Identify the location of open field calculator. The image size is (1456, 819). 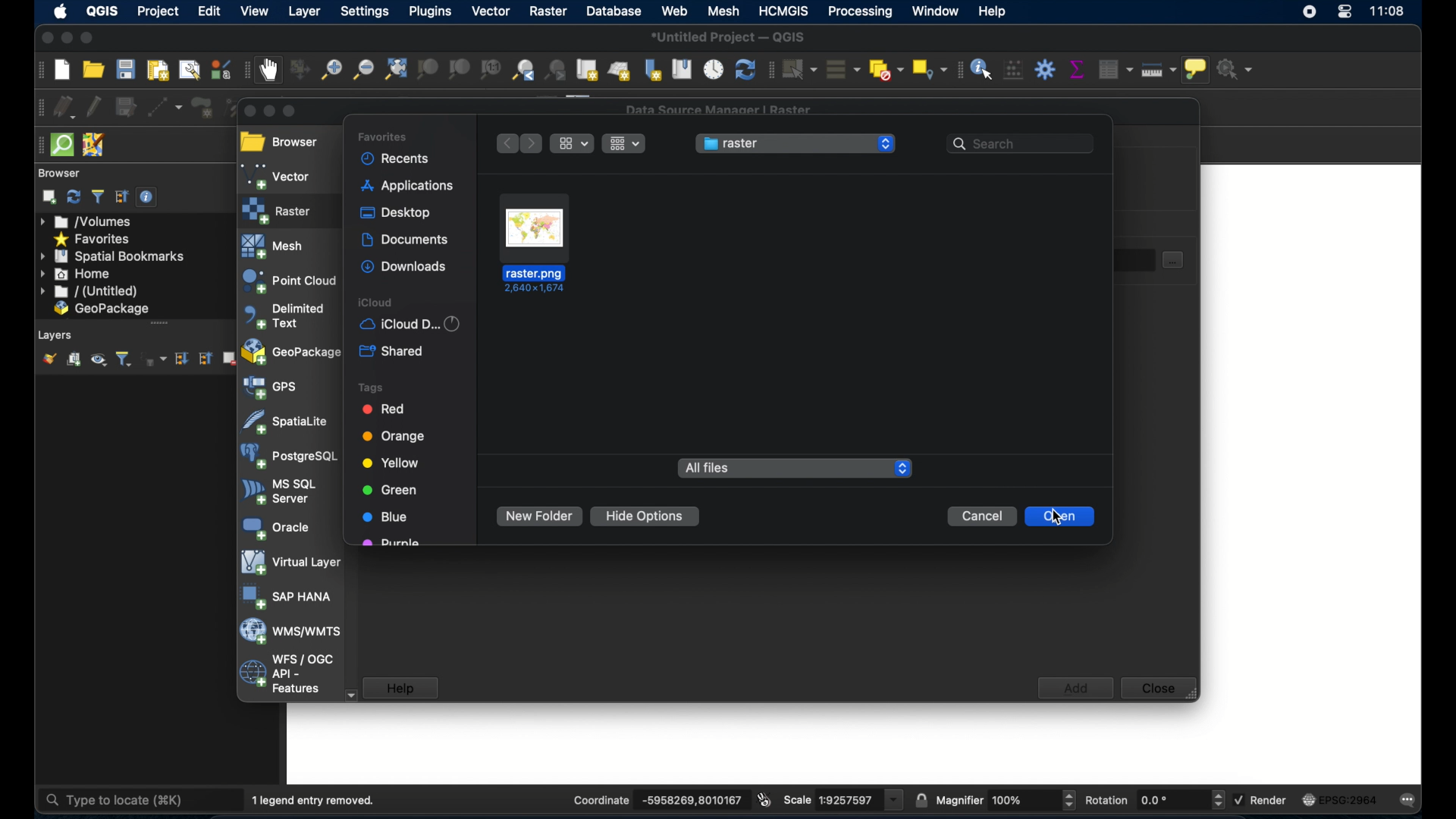
(1013, 69).